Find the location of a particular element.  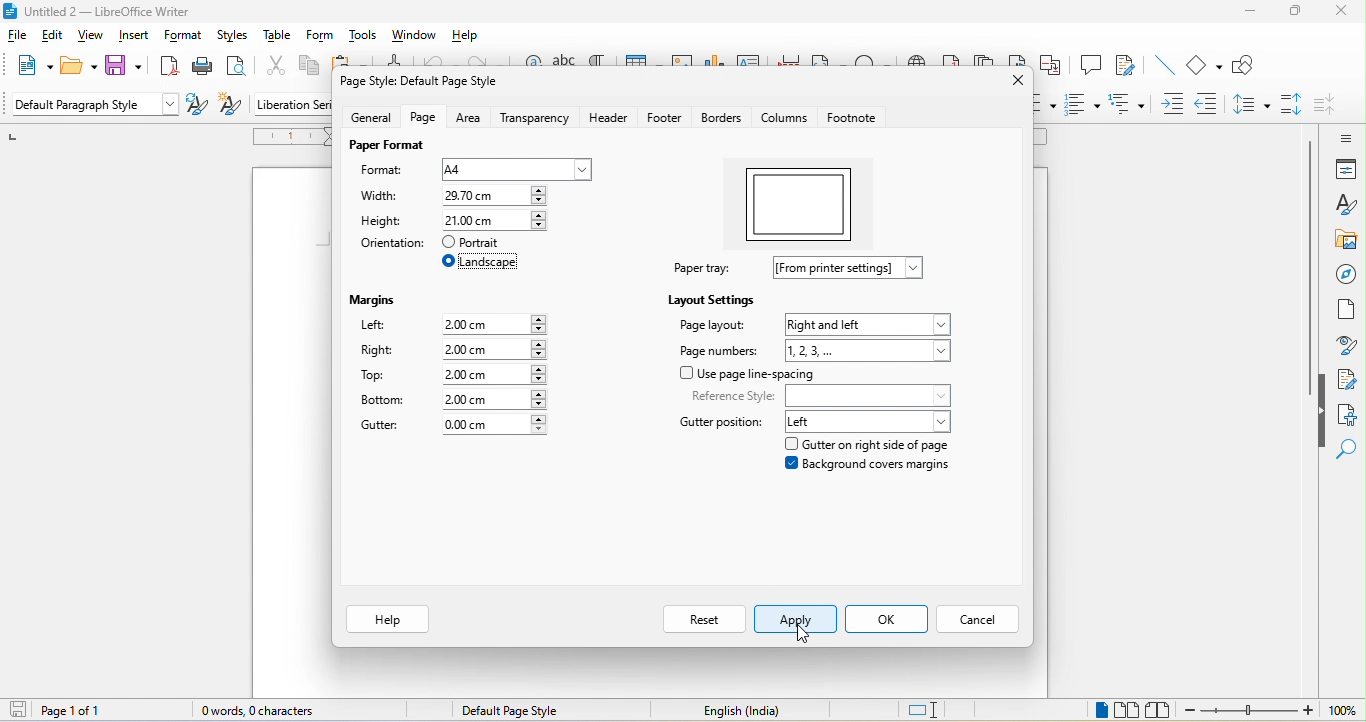

portrait is located at coordinates (485, 241).